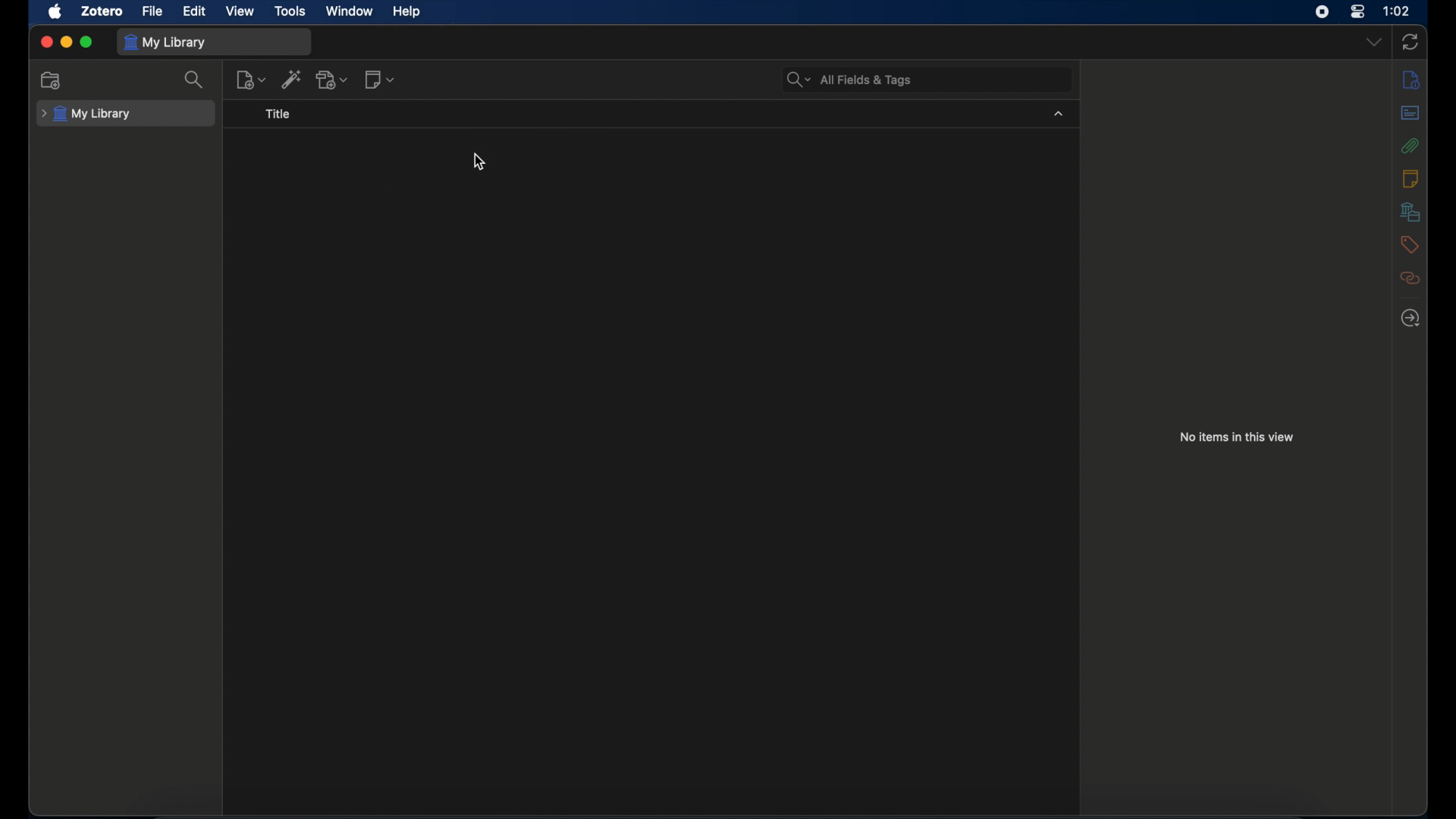 The width and height of the screenshot is (1456, 819). Describe the element at coordinates (1411, 42) in the screenshot. I see `sync` at that location.